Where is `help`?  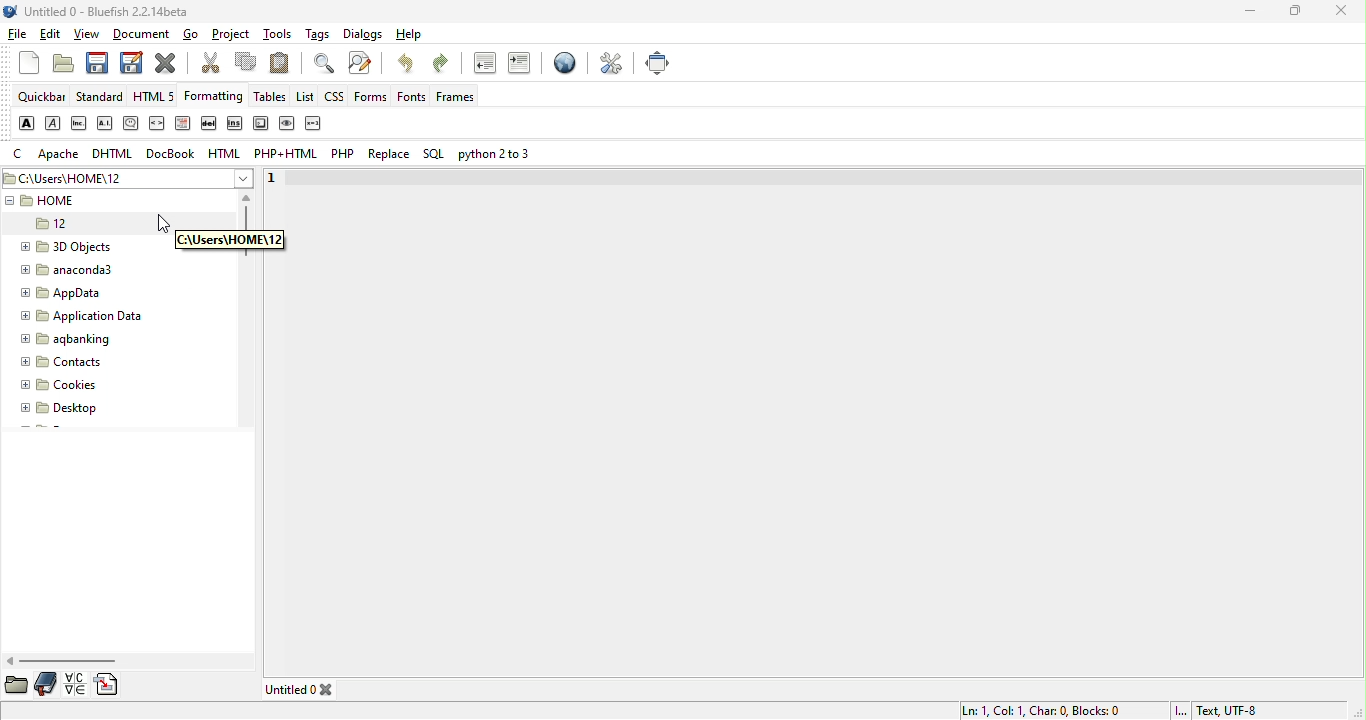
help is located at coordinates (414, 36).